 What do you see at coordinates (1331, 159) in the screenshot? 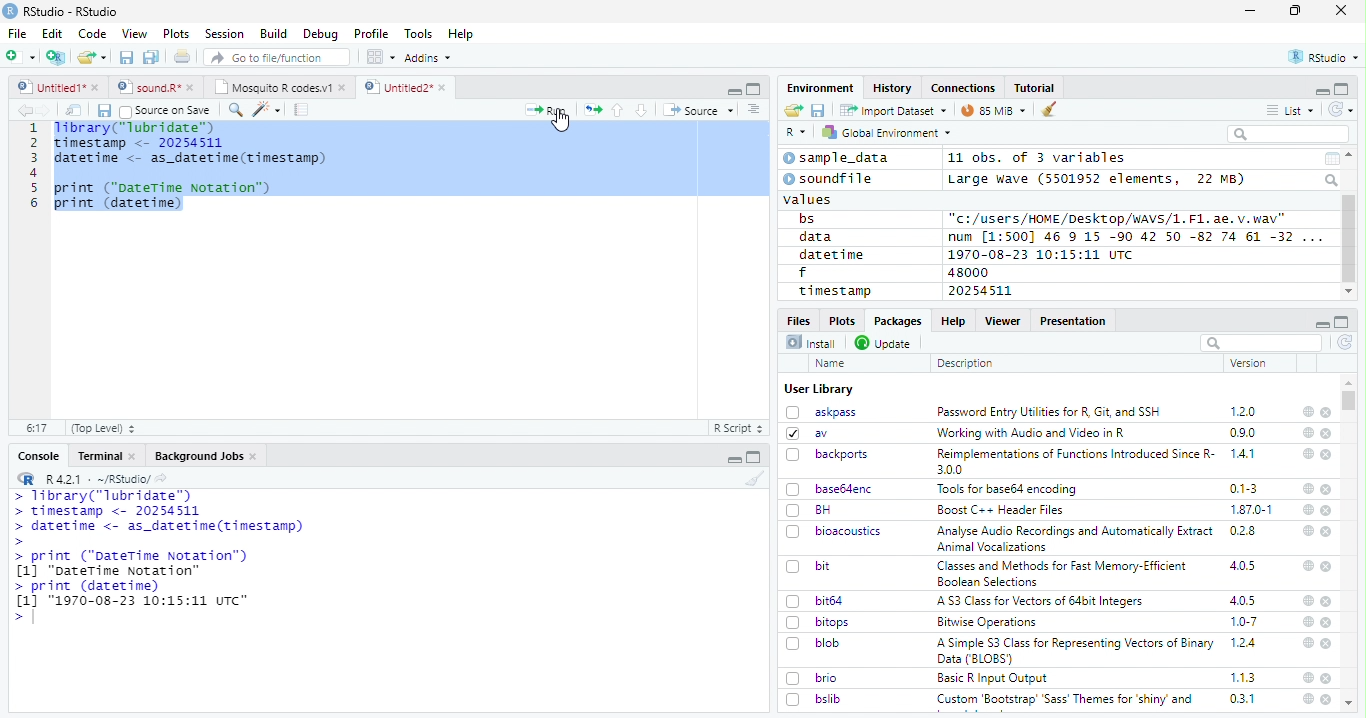
I see `Calendar` at bounding box center [1331, 159].